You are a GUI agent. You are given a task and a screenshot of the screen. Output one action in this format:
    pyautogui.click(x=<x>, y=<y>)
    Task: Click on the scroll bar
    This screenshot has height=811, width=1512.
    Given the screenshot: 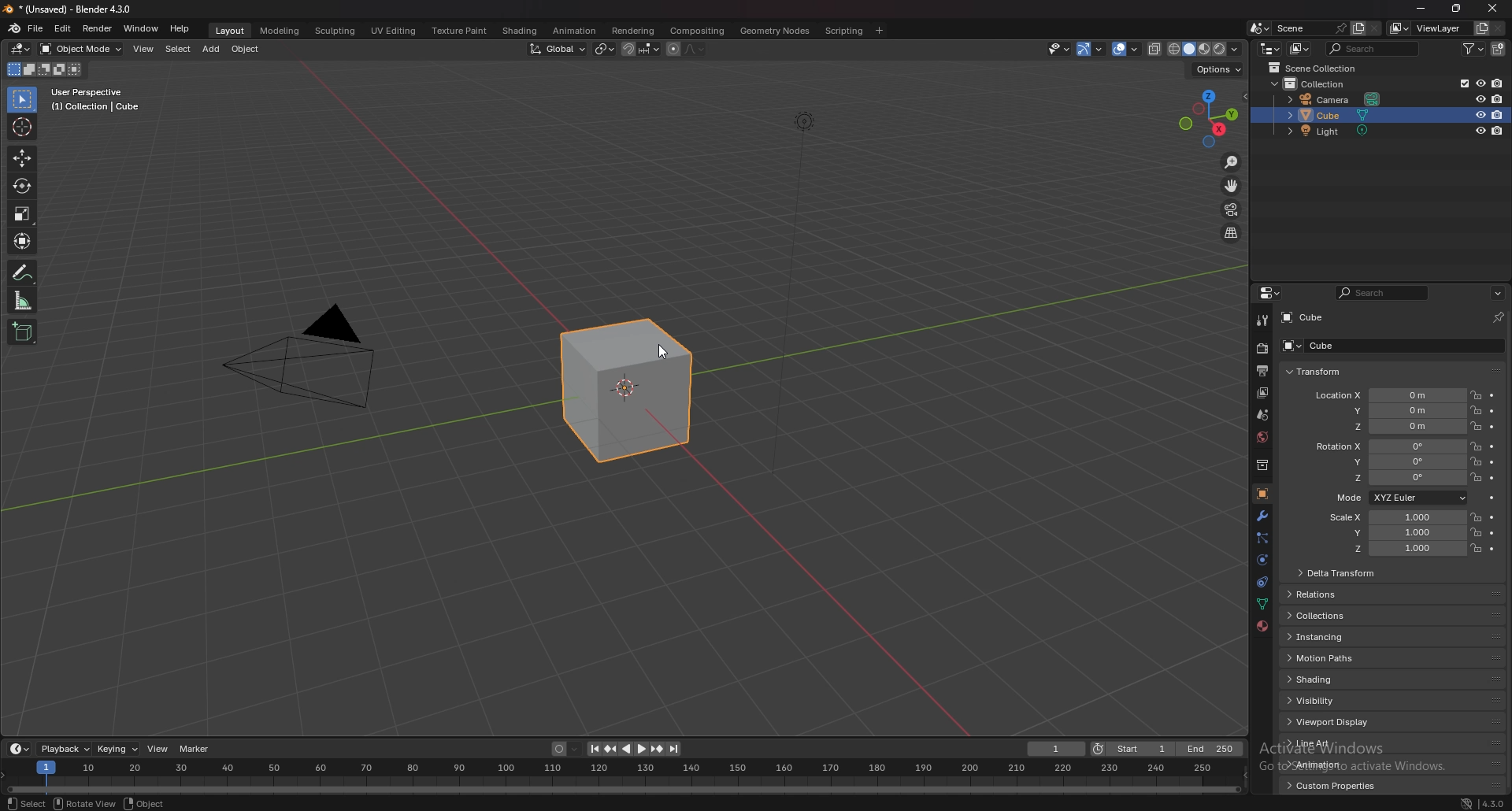 What is the action you would take?
    pyautogui.click(x=1507, y=559)
    